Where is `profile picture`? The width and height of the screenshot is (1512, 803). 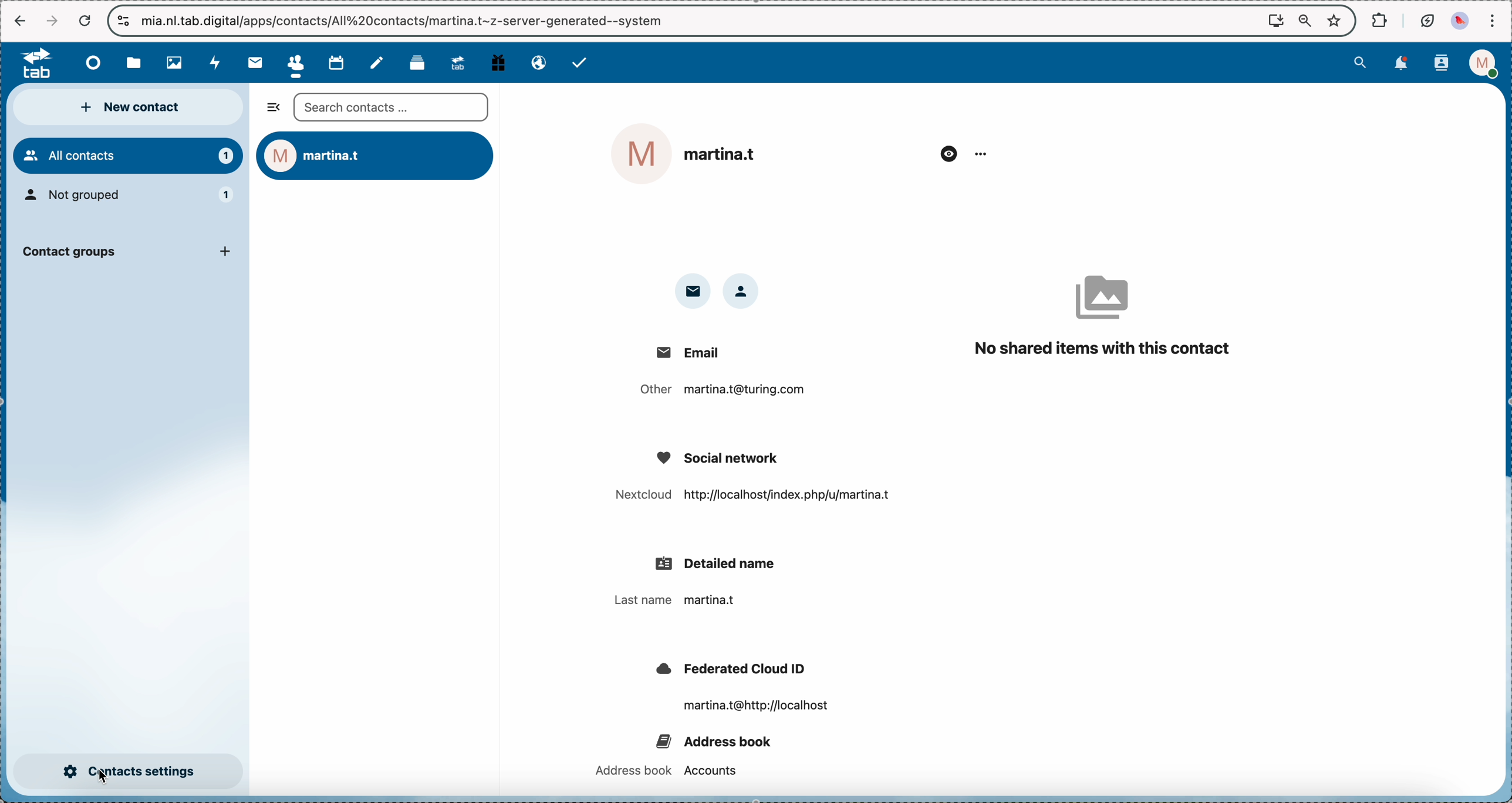 profile picture is located at coordinates (640, 153).